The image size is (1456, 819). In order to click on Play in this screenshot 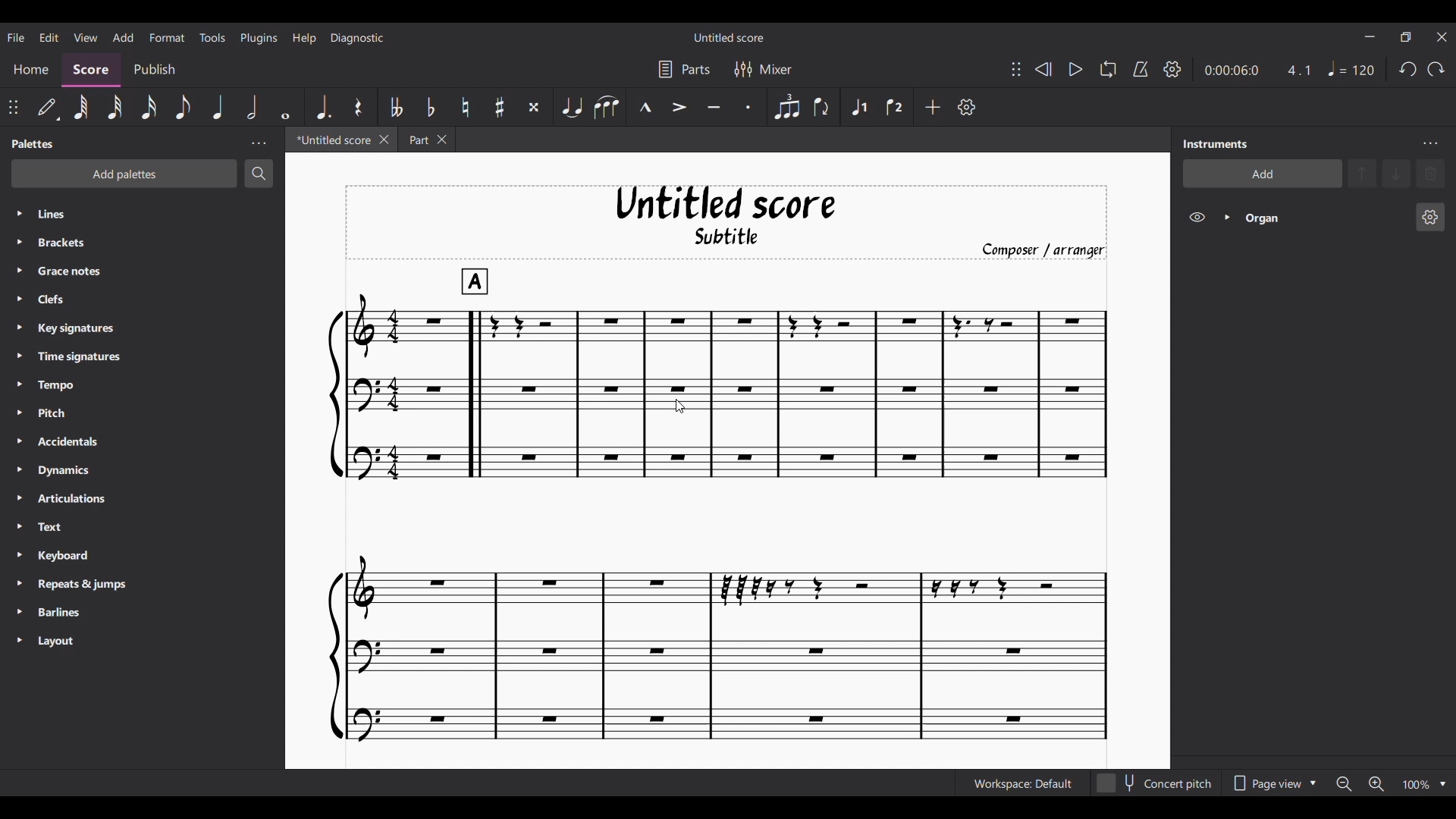, I will do `click(1075, 70)`.